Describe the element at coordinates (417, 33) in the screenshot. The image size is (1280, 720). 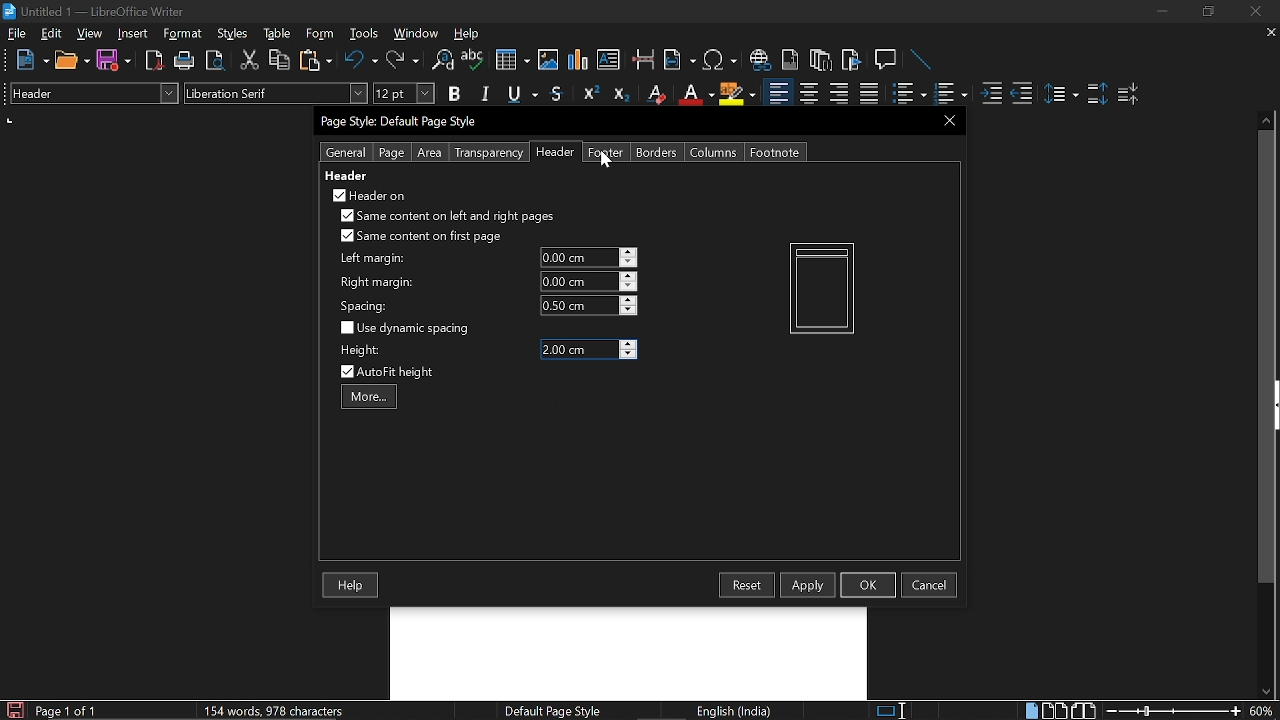
I see `WIndow` at that location.